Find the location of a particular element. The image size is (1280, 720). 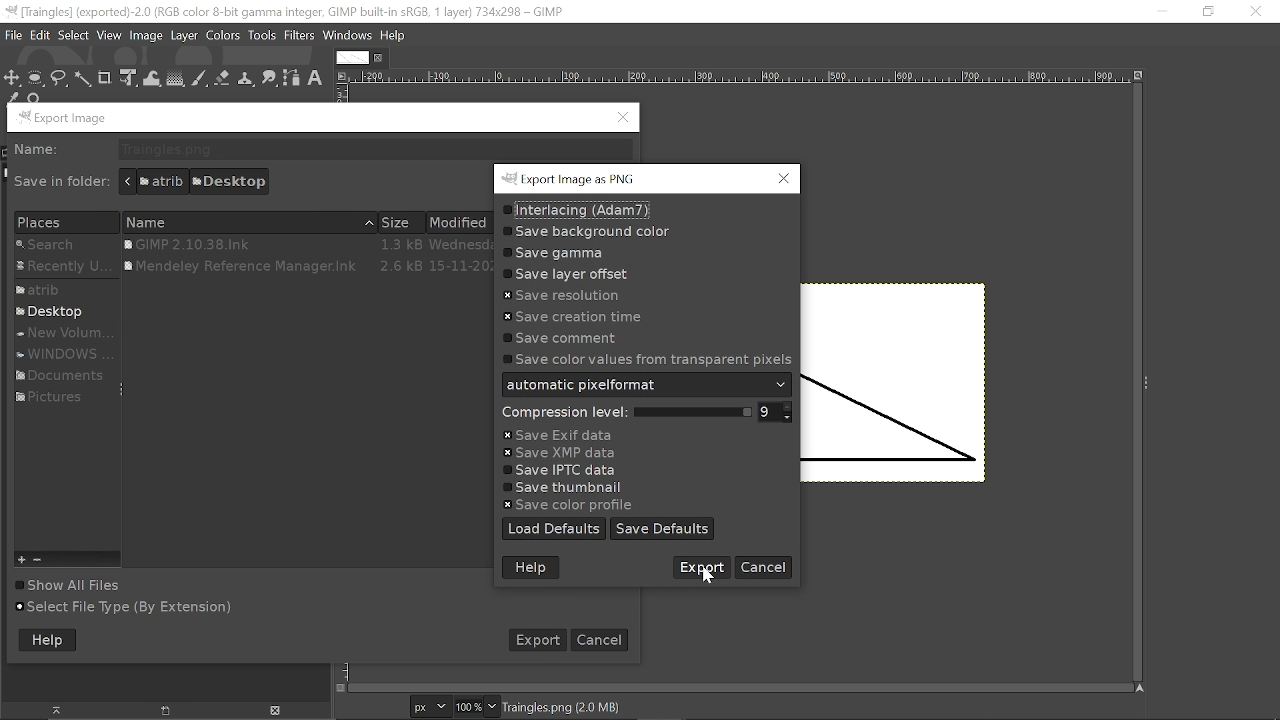

fuzzy select tool is located at coordinates (83, 79).